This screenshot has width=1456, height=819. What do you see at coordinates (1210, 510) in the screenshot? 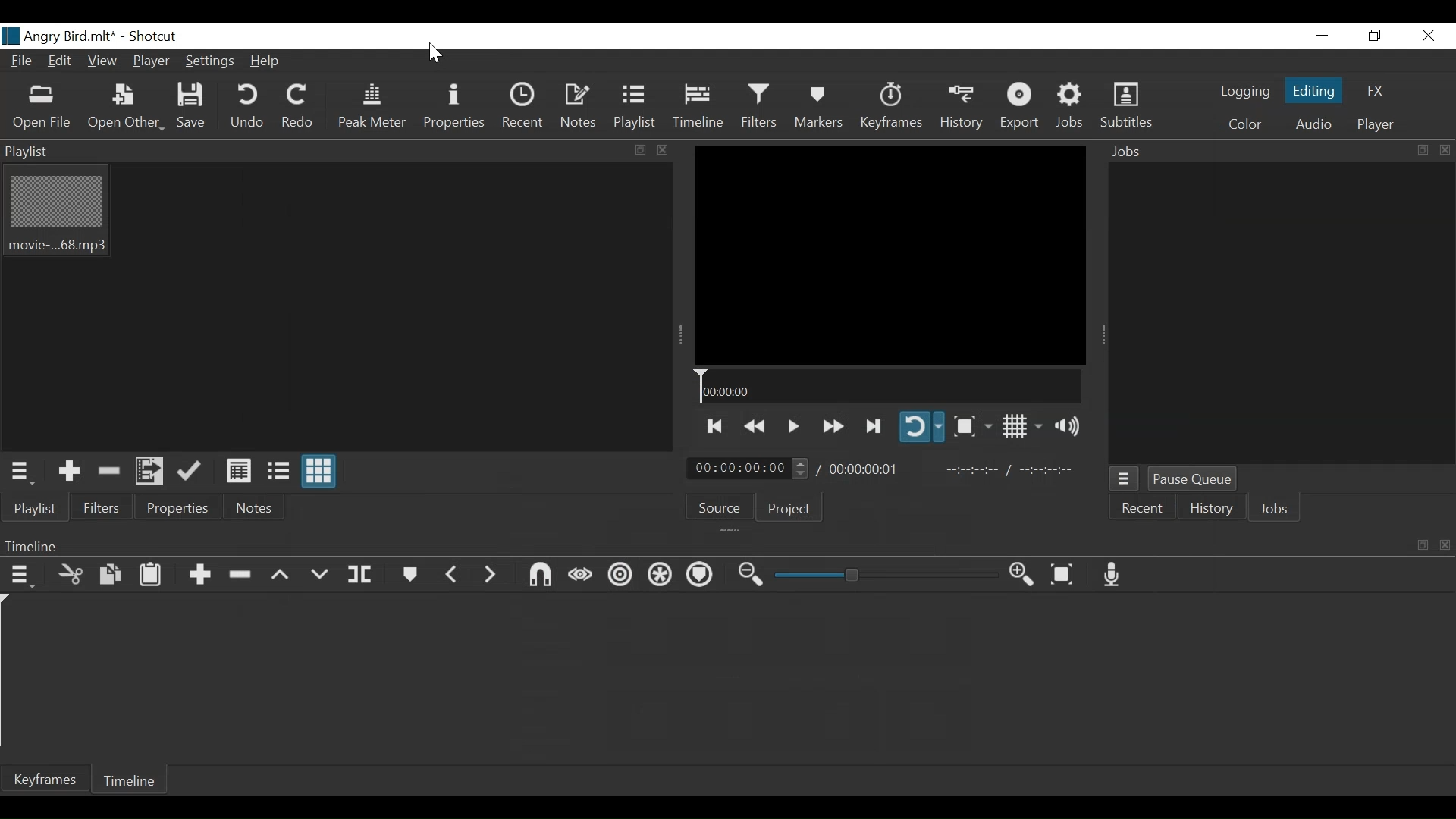
I see `History` at bounding box center [1210, 510].